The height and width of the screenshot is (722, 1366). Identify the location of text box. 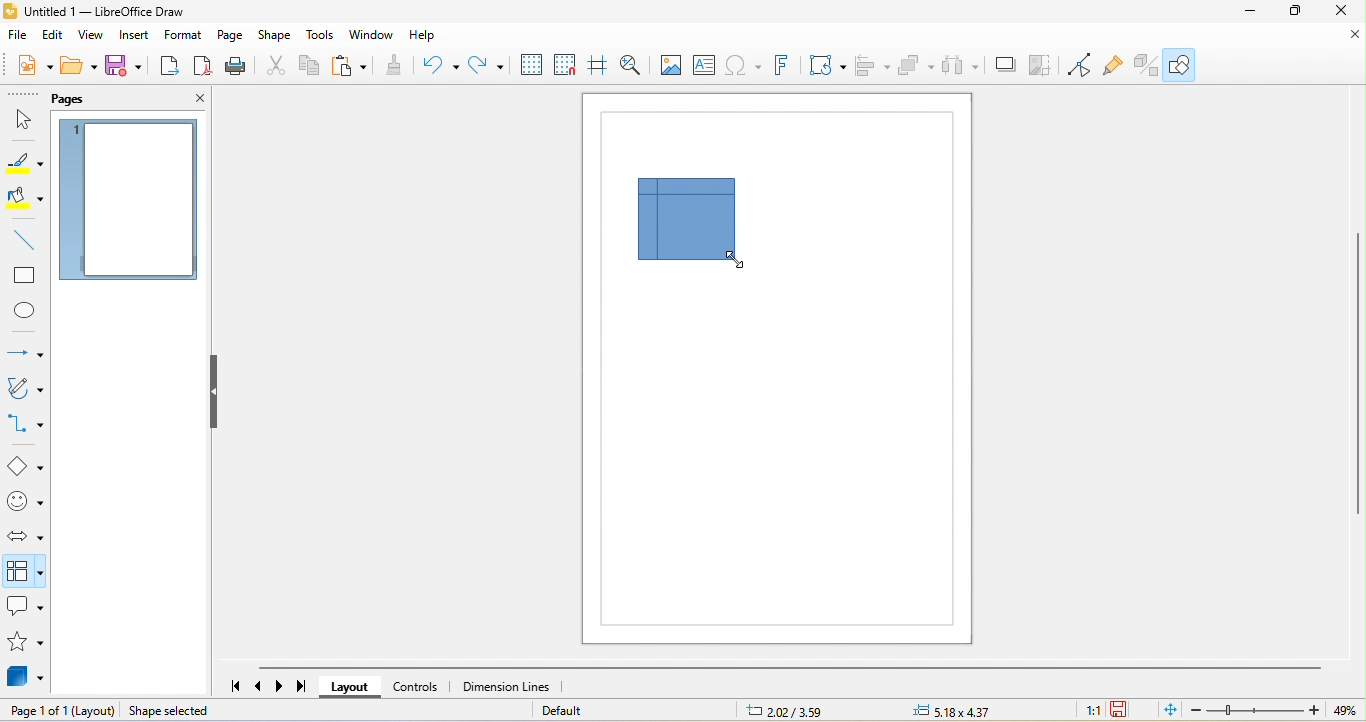
(704, 65).